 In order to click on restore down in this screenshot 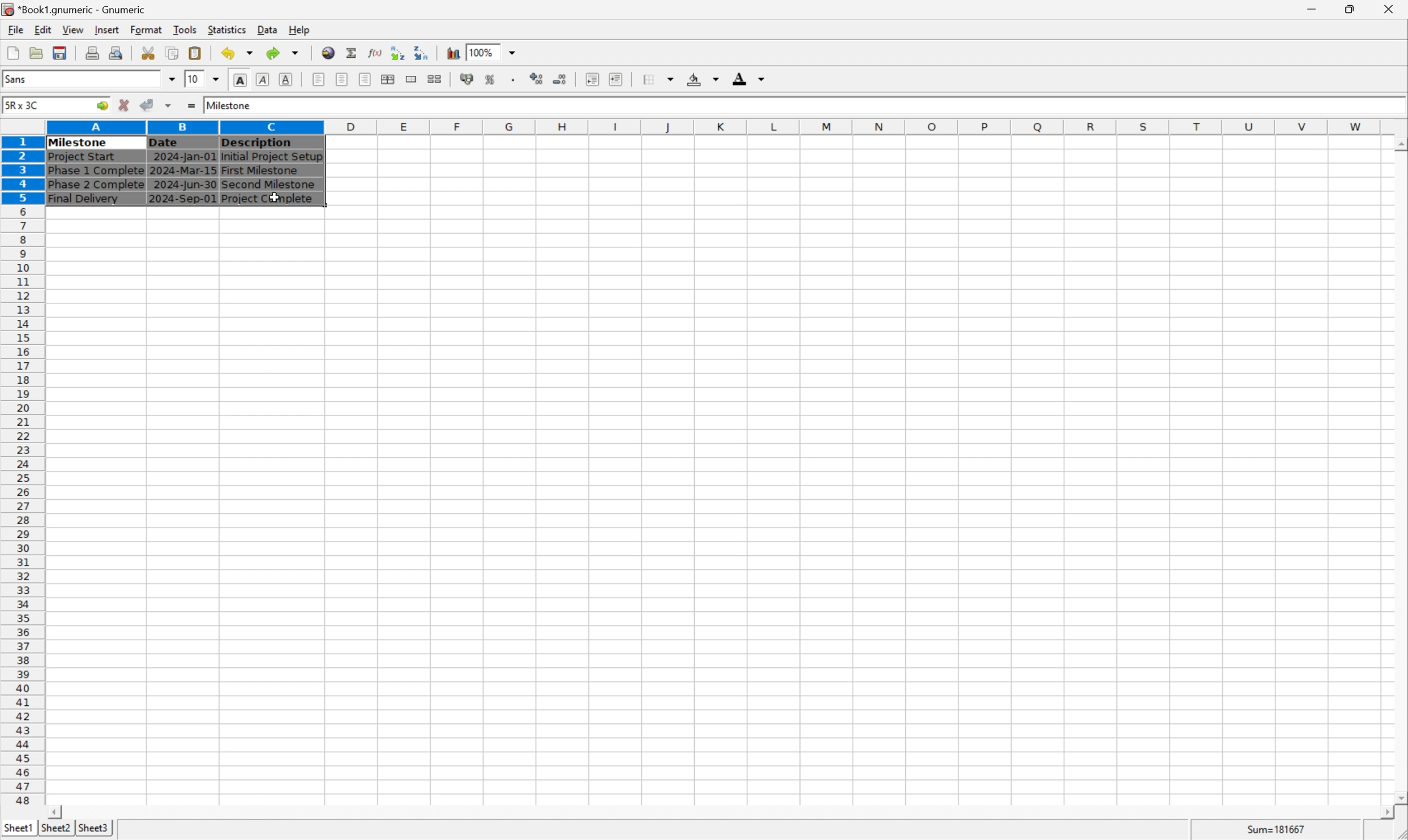, I will do `click(1354, 9)`.